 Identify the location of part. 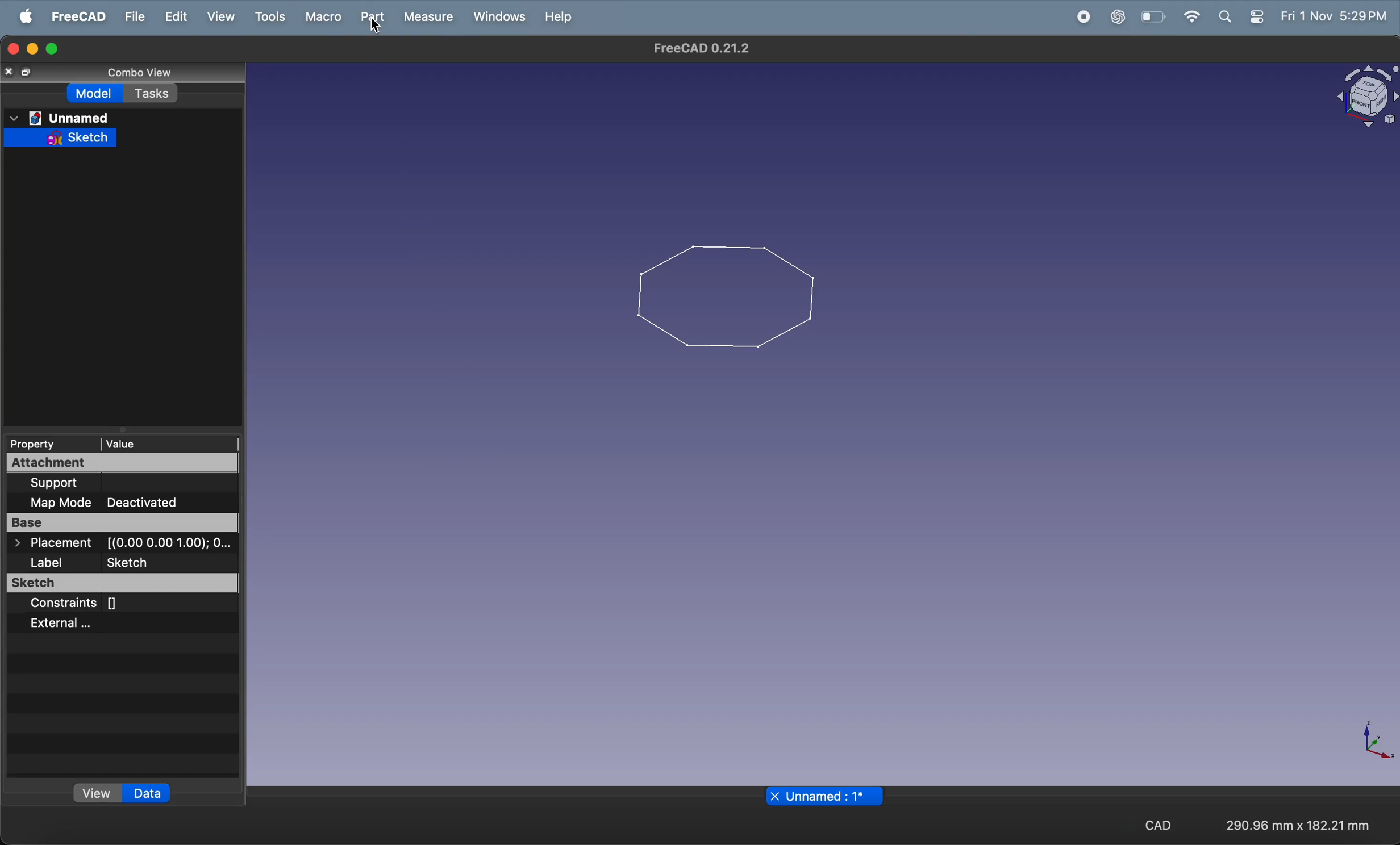
(368, 20).